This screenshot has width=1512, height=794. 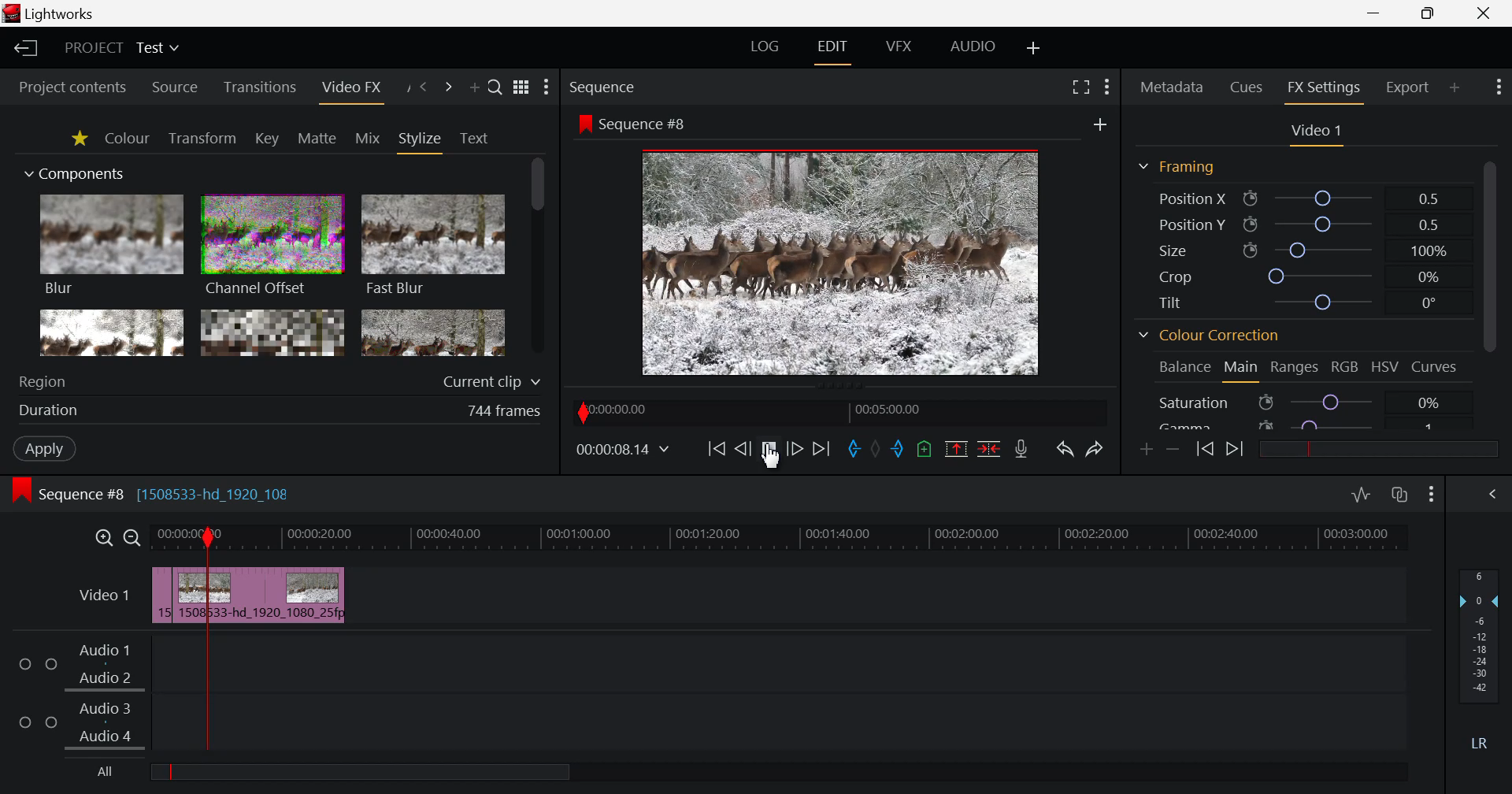 What do you see at coordinates (1296, 368) in the screenshot?
I see `Ranges` at bounding box center [1296, 368].